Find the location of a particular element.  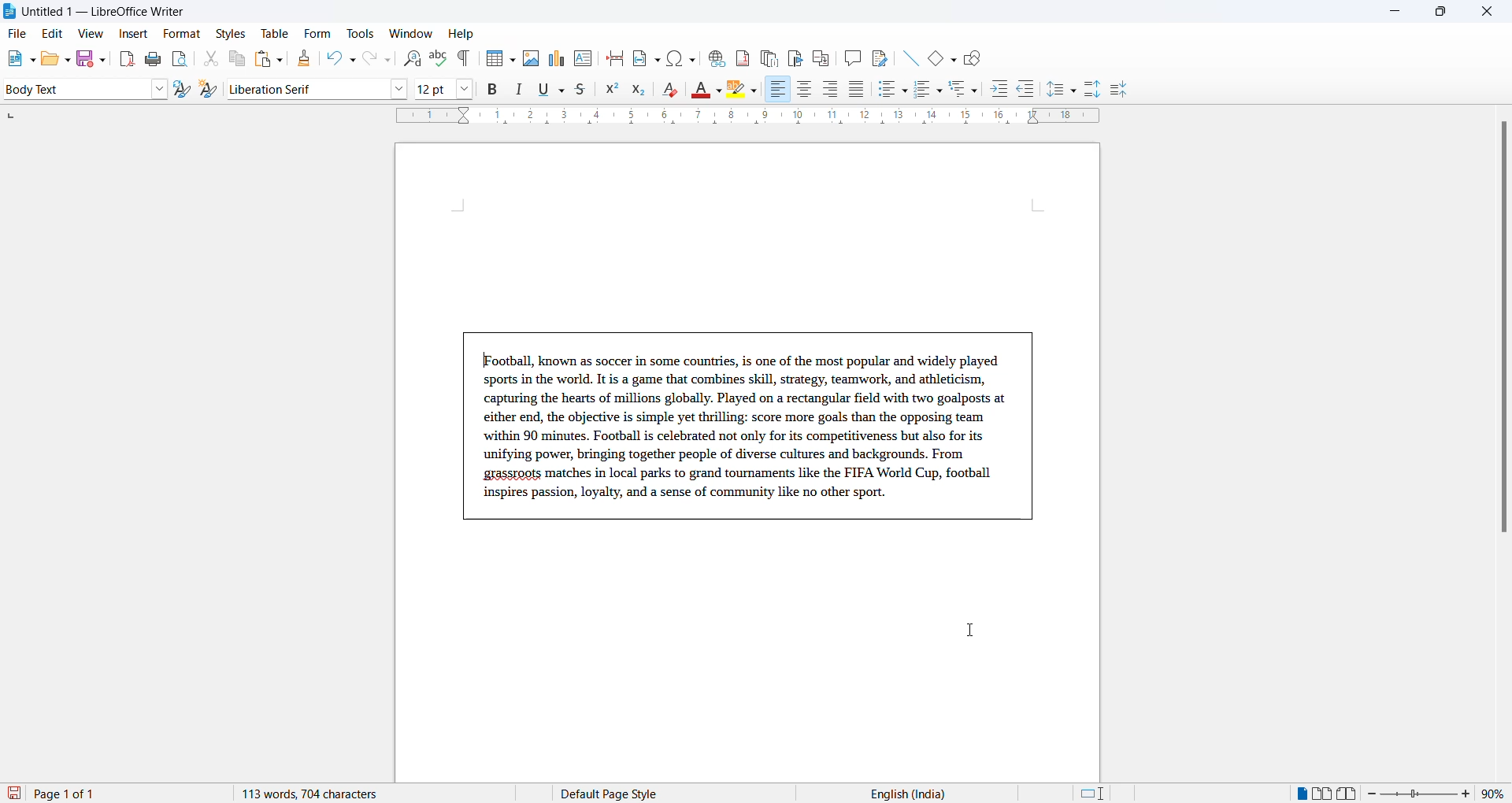

style is located at coordinates (72, 88).